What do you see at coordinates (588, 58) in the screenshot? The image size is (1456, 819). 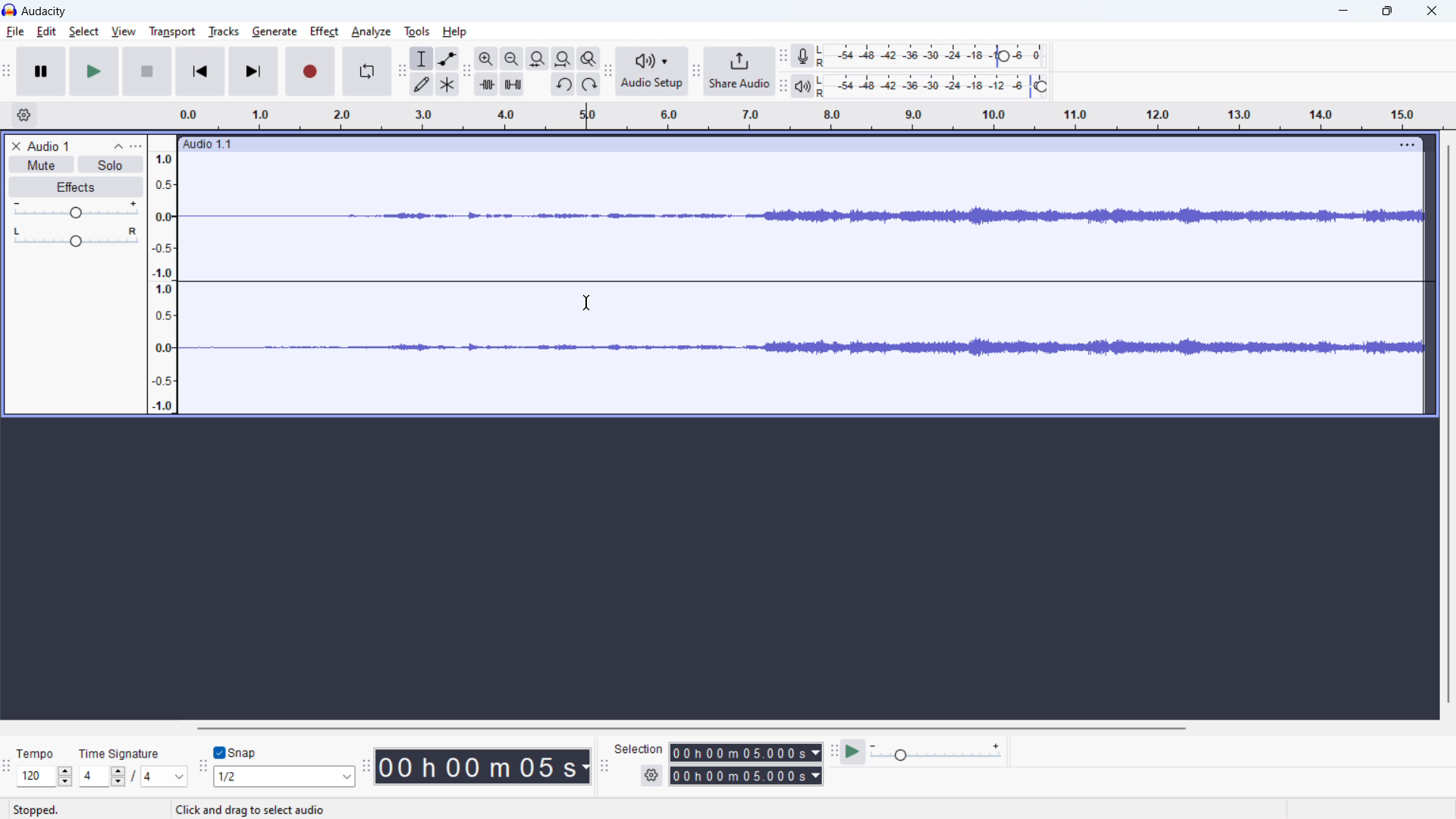 I see `toggle zoom` at bounding box center [588, 58].